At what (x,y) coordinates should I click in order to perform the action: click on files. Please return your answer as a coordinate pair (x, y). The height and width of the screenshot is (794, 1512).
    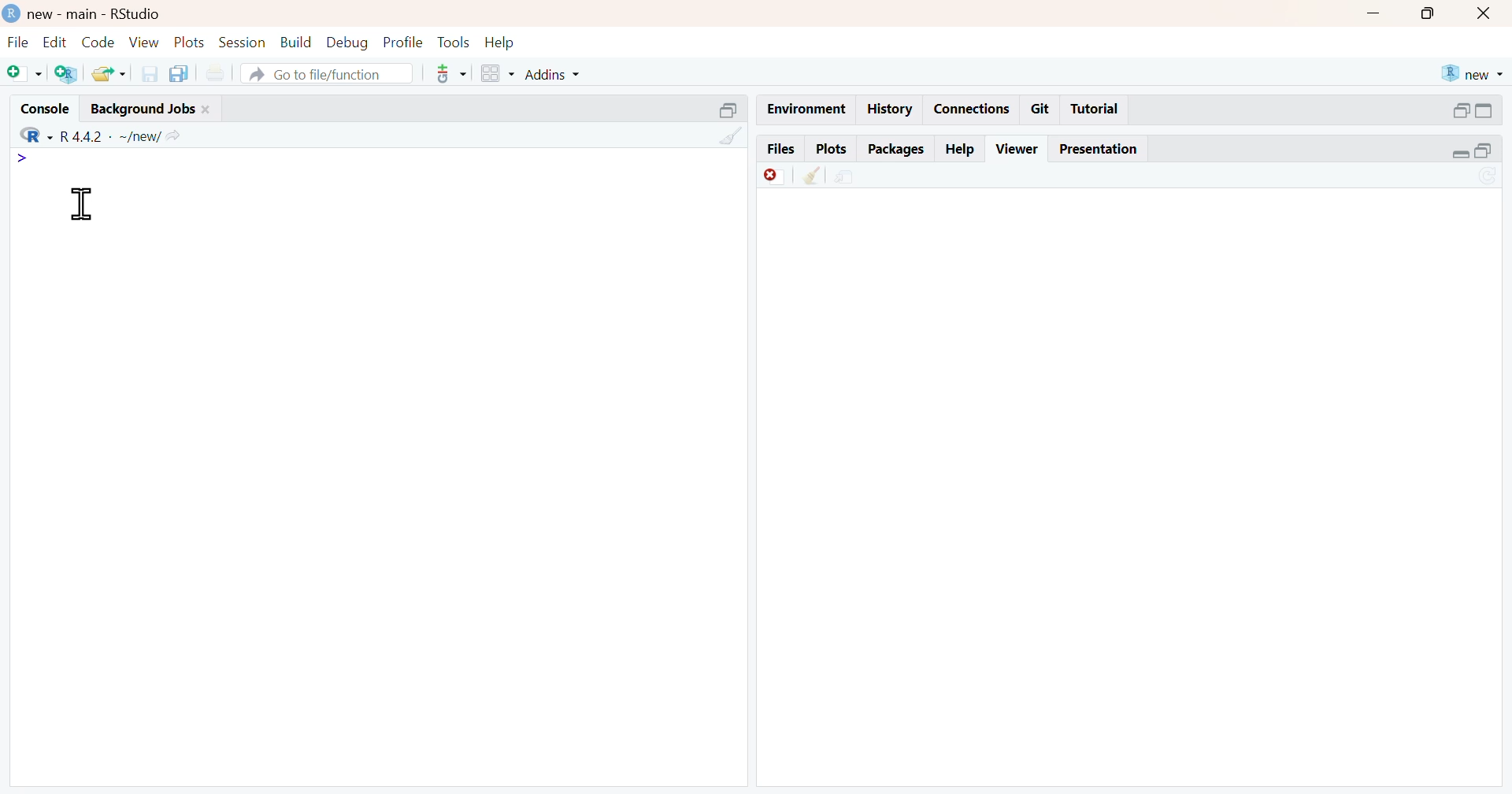
    Looking at the image, I should click on (782, 149).